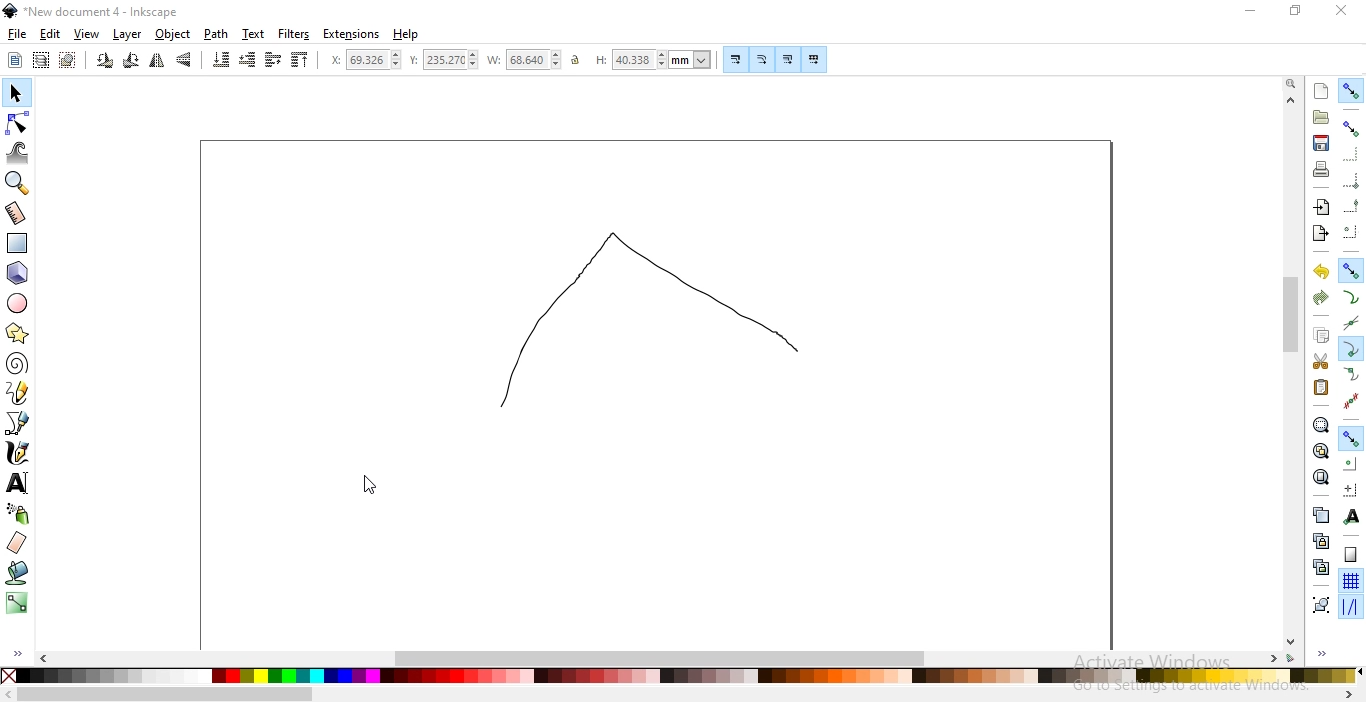  What do you see at coordinates (18, 94) in the screenshot?
I see `select and transform objects` at bounding box center [18, 94].